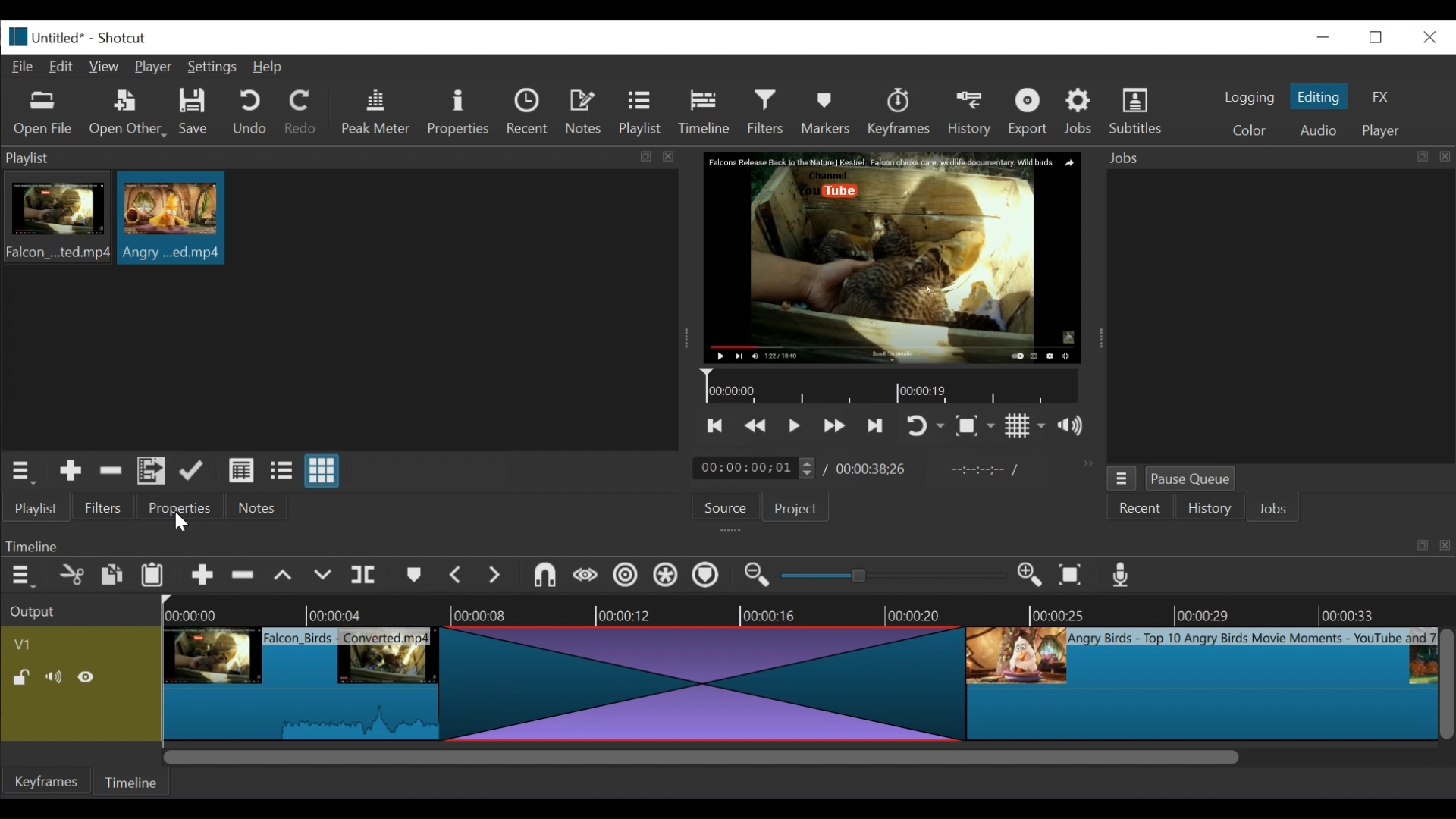  Describe the element at coordinates (972, 111) in the screenshot. I see `History` at that location.